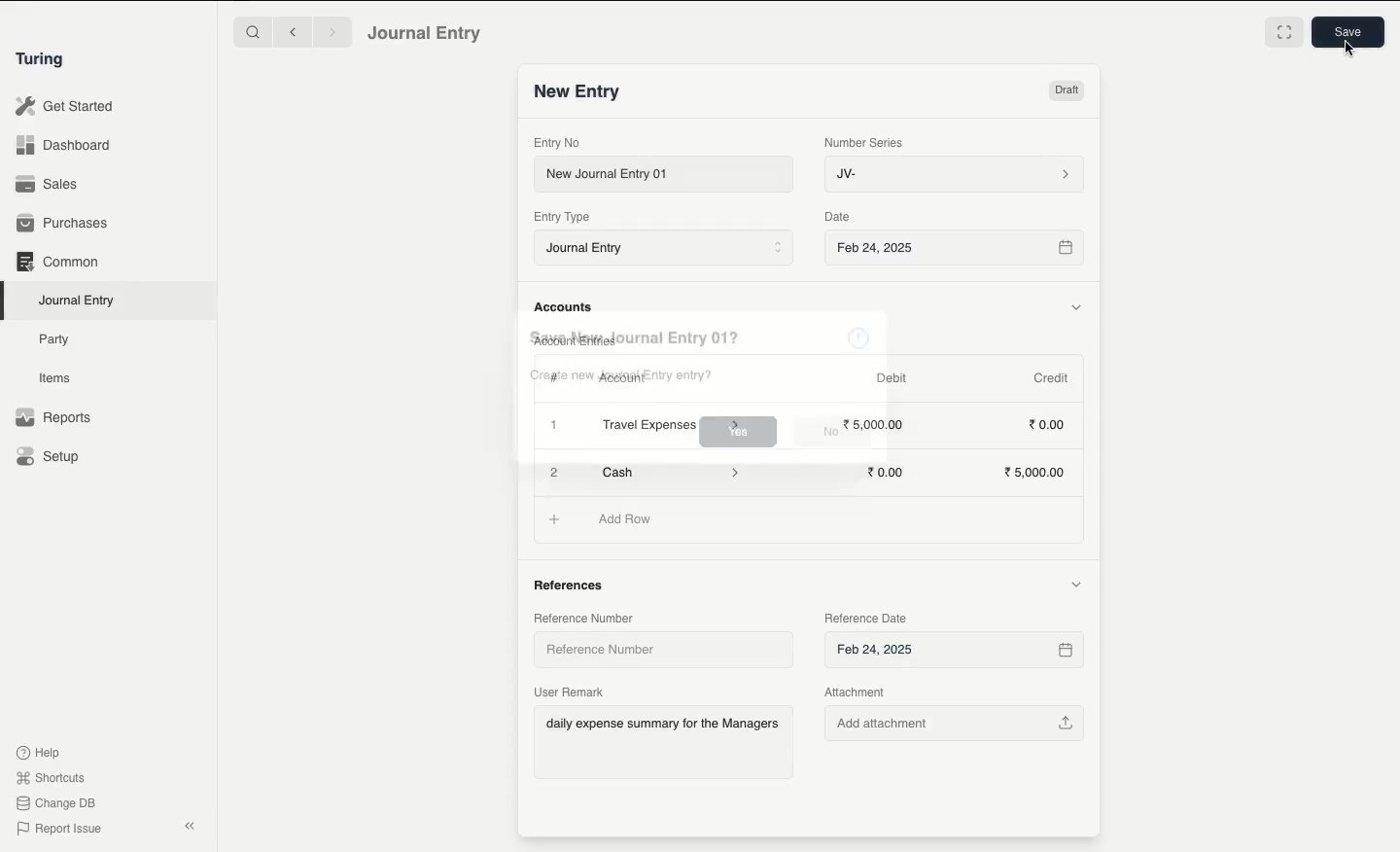 Image resolution: width=1400 pixels, height=852 pixels. I want to click on Date, so click(840, 216).